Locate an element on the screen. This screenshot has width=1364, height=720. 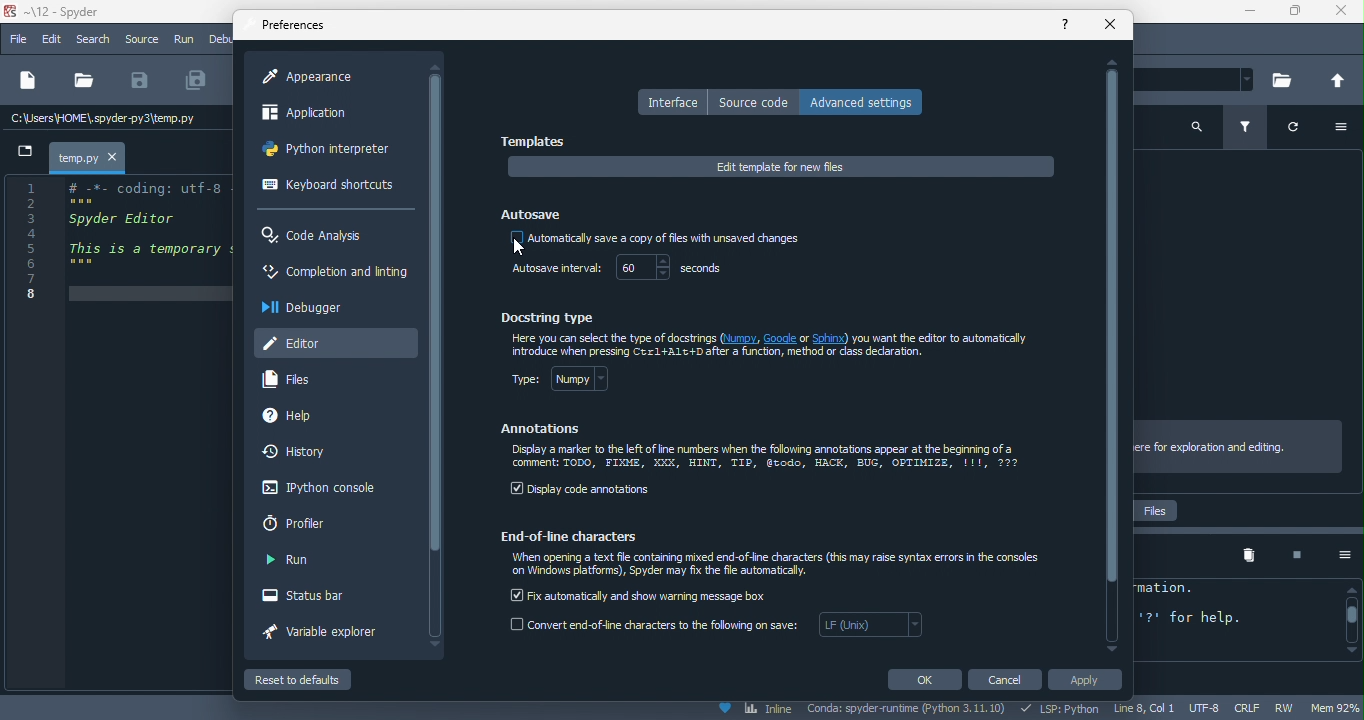
 is located at coordinates (1291, 80).